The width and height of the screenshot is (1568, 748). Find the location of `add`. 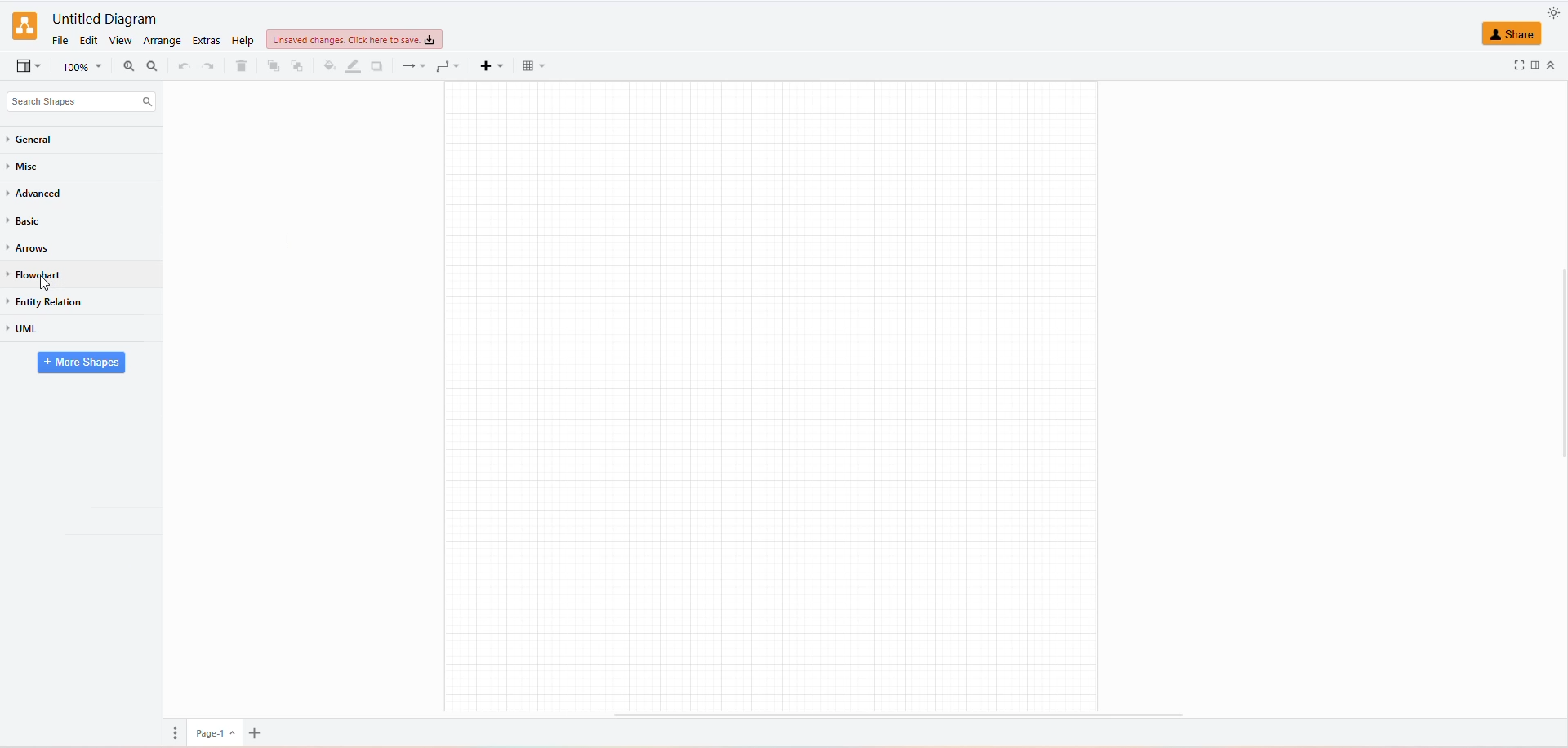

add is located at coordinates (261, 730).